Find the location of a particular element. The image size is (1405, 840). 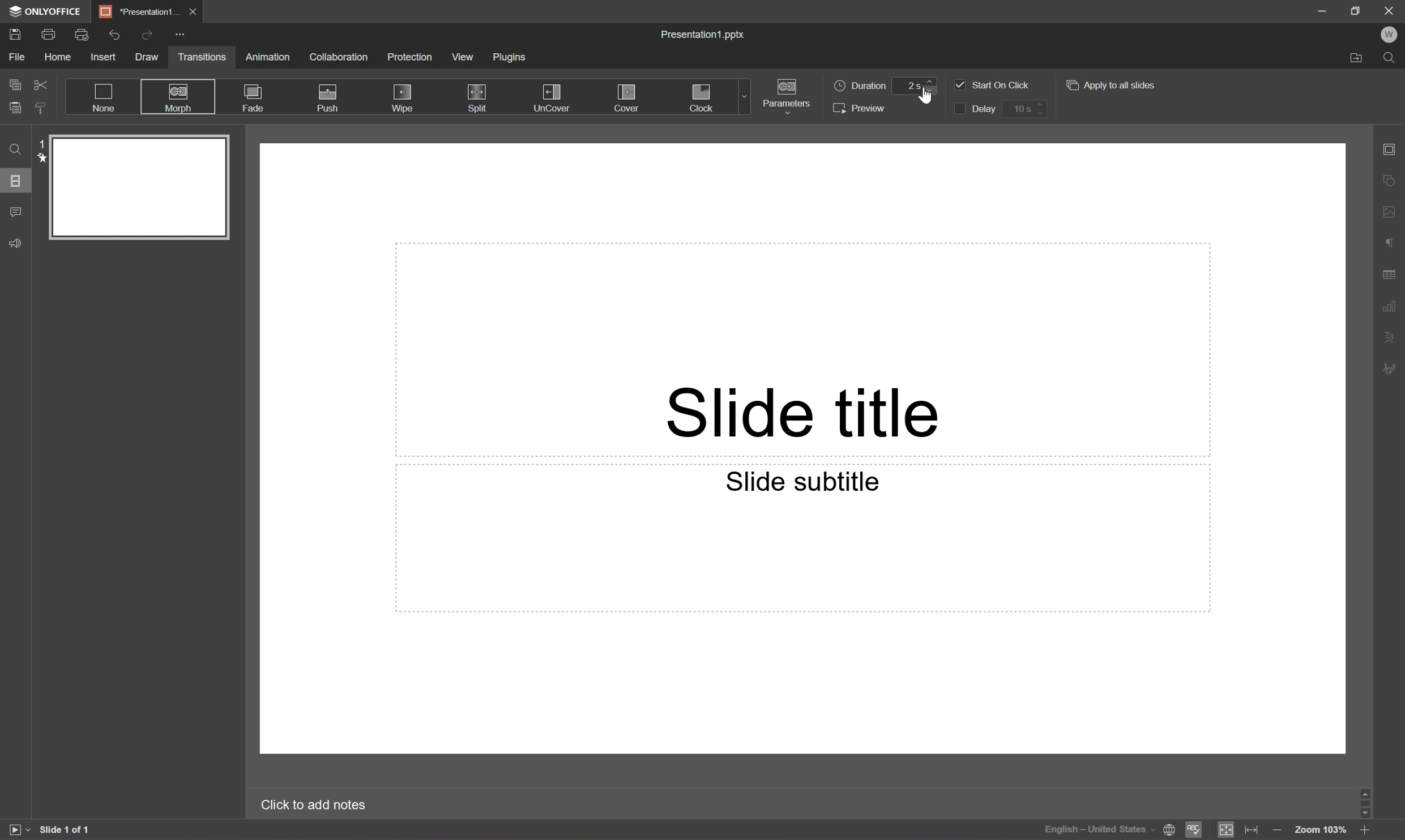

Checkbox is located at coordinates (956, 84).